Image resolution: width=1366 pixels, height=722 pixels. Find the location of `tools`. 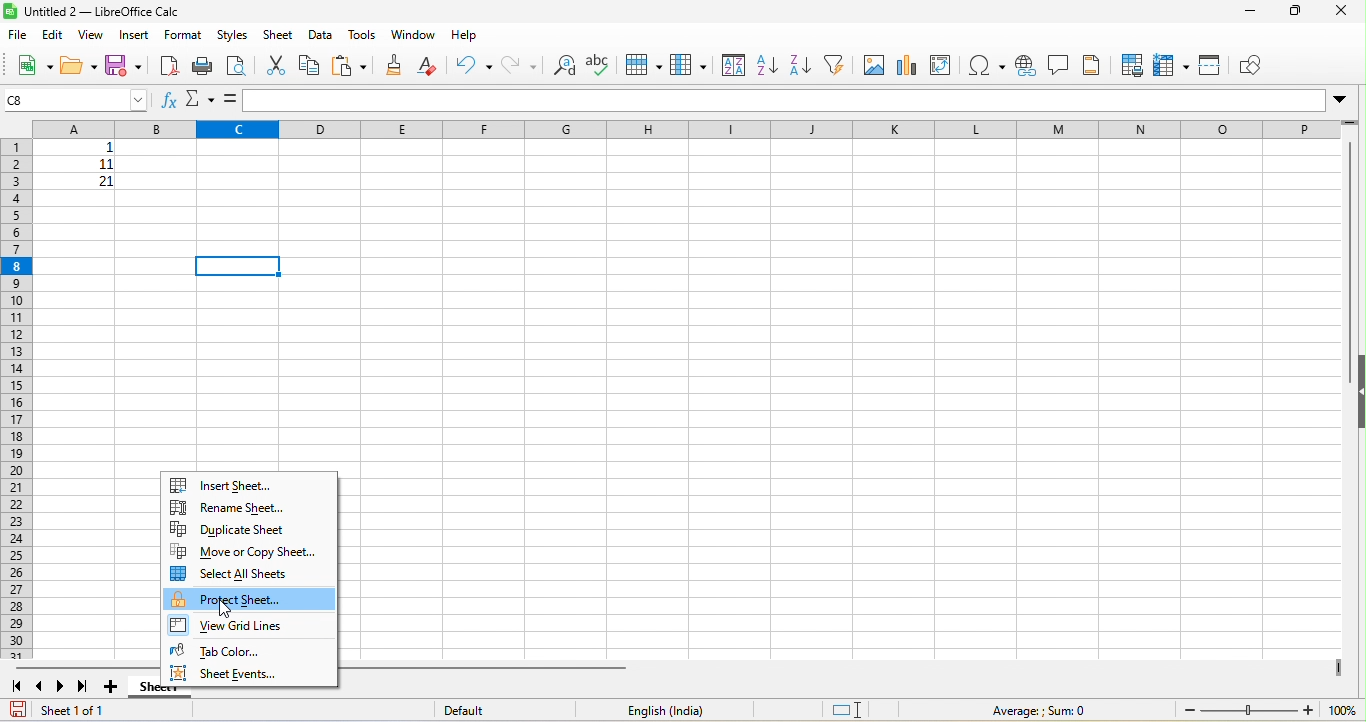

tools is located at coordinates (360, 34).